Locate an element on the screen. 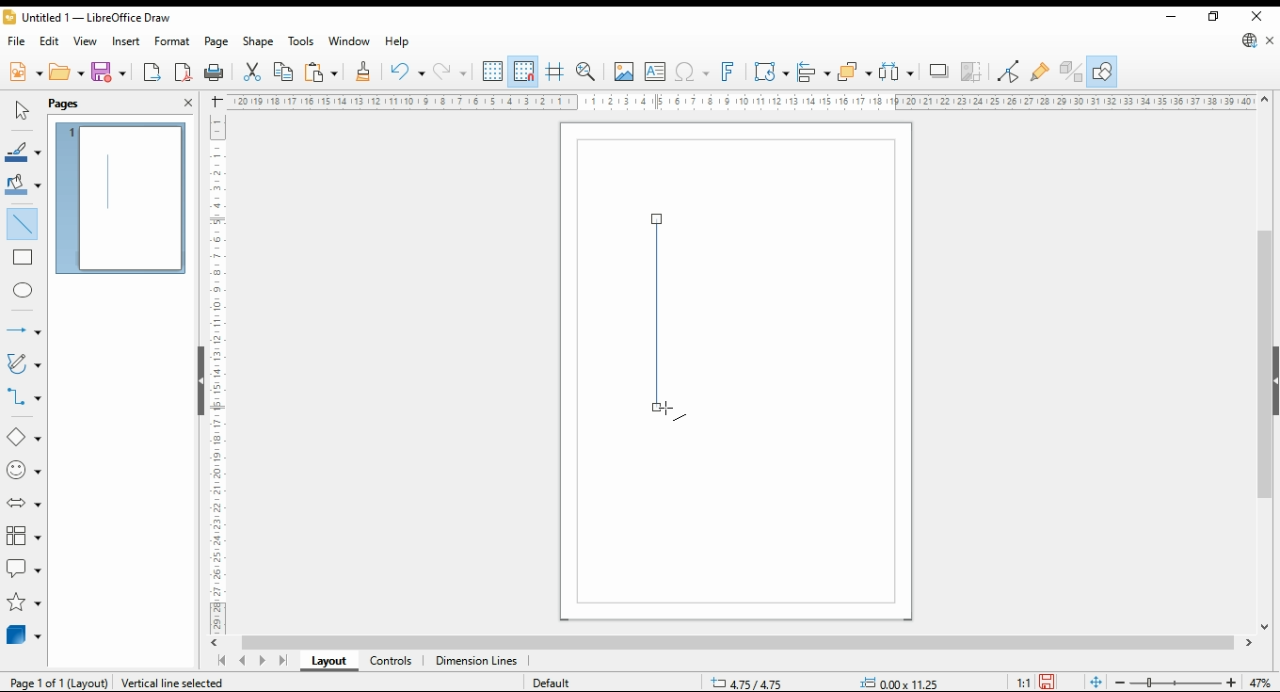 Image resolution: width=1280 pixels, height=692 pixels. insert line message is located at coordinates (26, 258).